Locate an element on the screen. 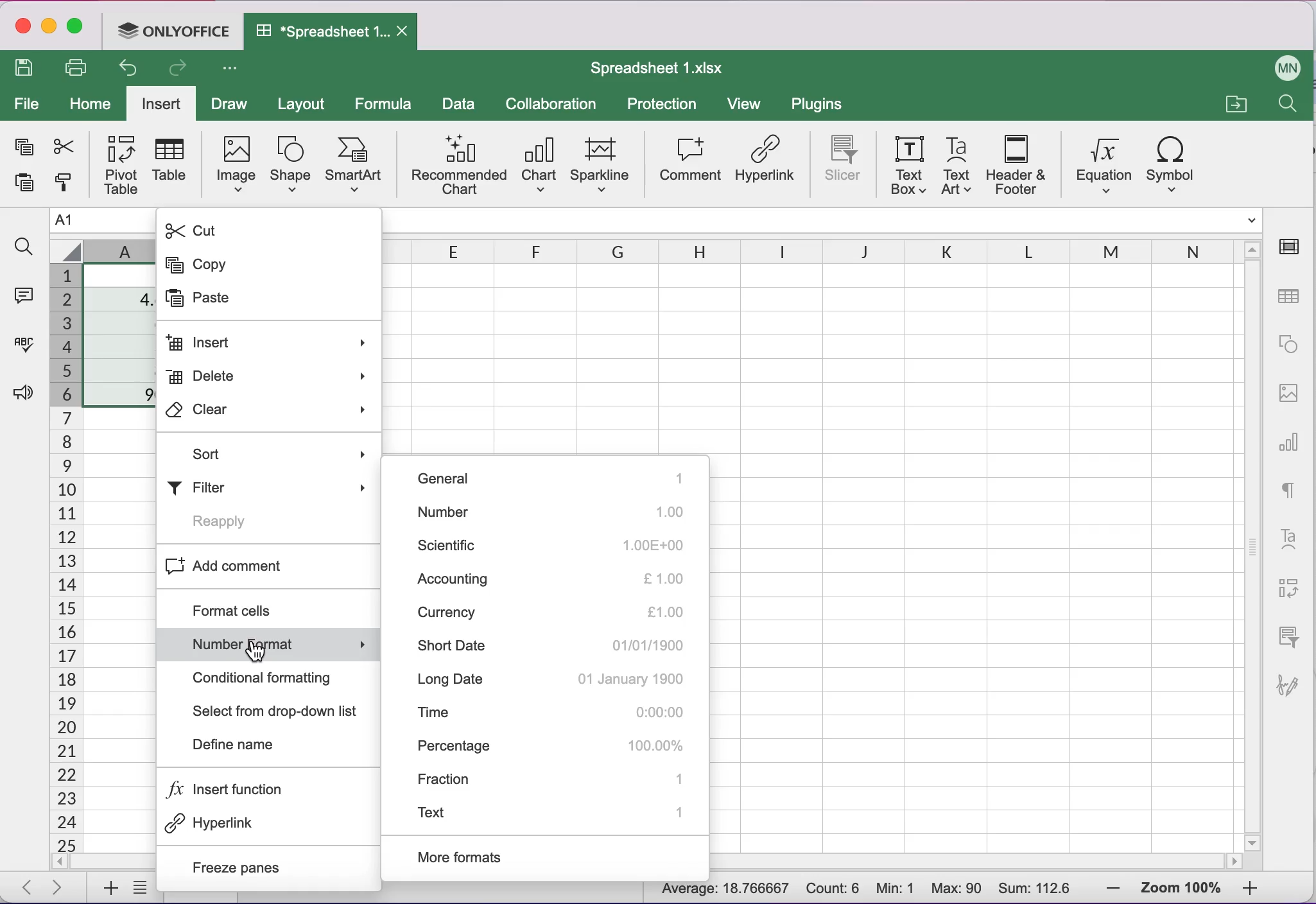  table is located at coordinates (1287, 297).